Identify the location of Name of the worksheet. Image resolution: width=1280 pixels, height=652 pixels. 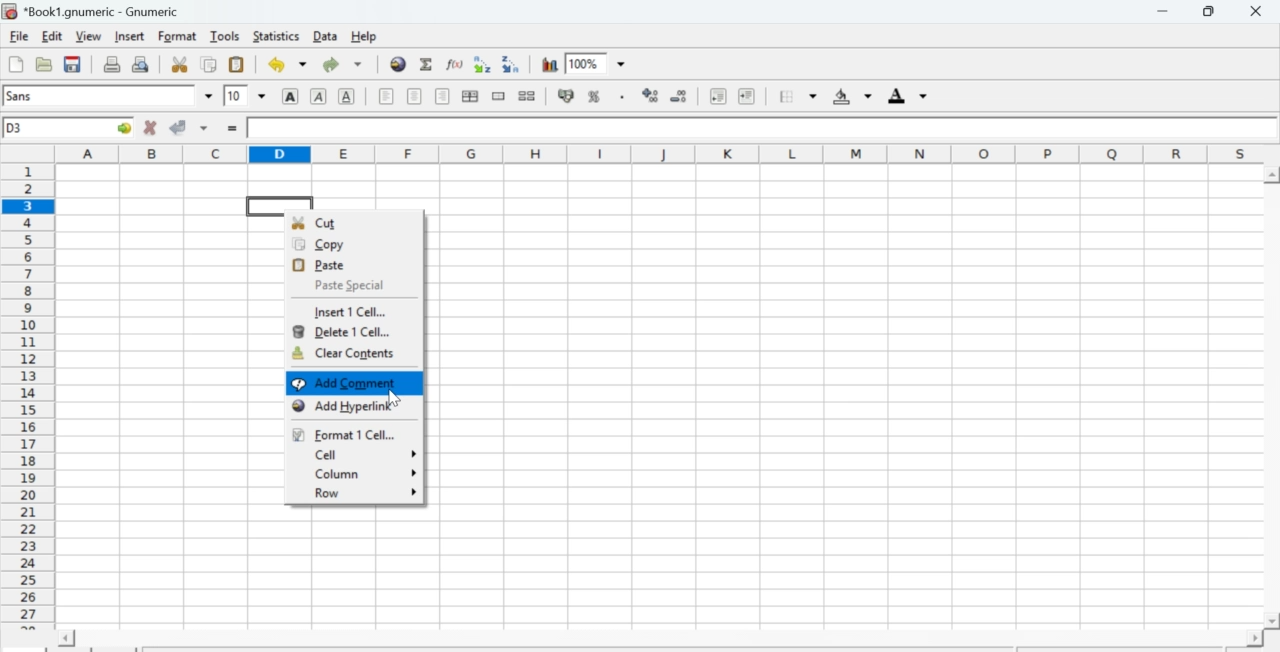
(105, 11).